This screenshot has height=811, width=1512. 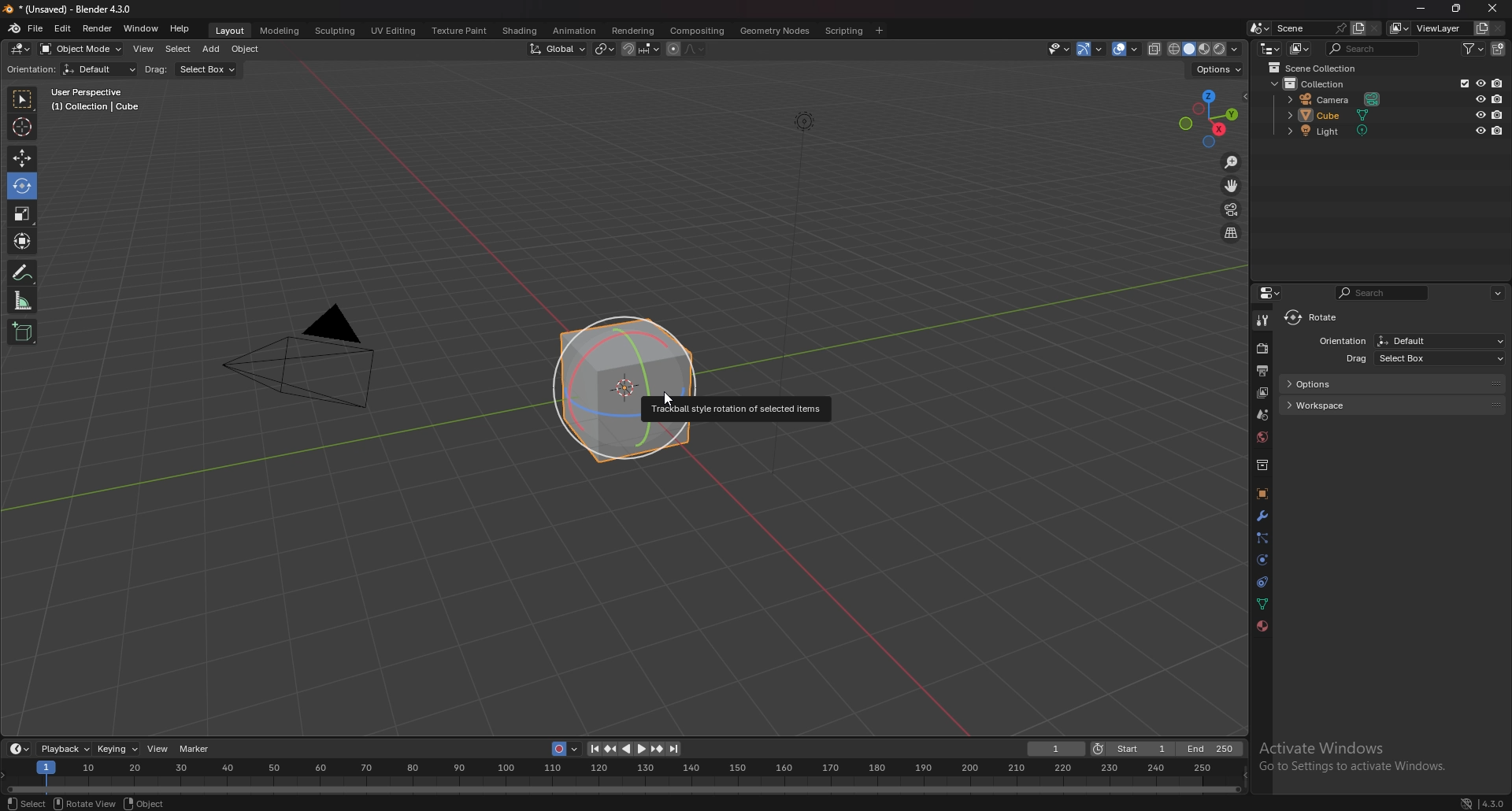 I want to click on jump to endpoint, so click(x=675, y=748).